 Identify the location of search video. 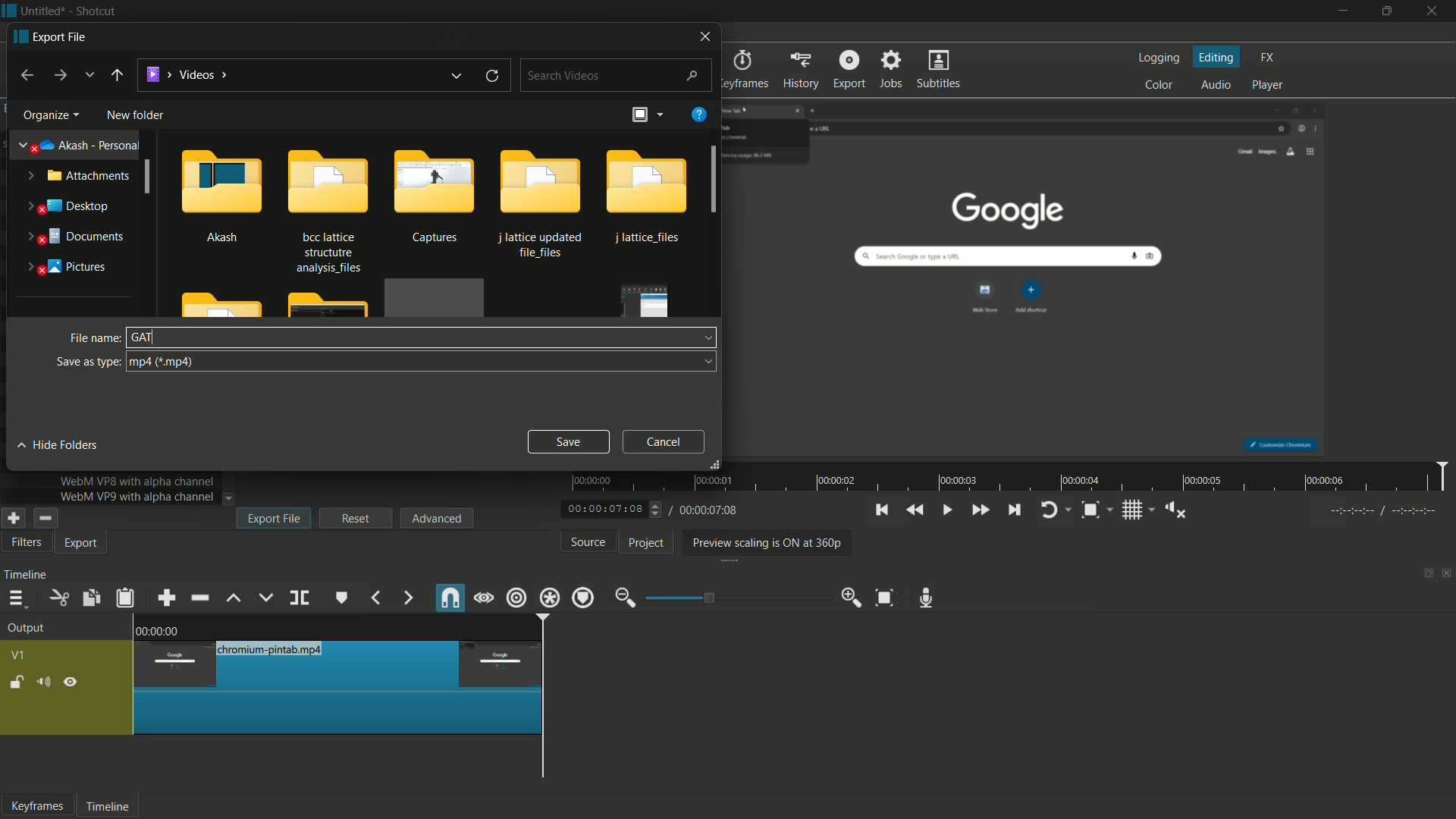
(617, 74).